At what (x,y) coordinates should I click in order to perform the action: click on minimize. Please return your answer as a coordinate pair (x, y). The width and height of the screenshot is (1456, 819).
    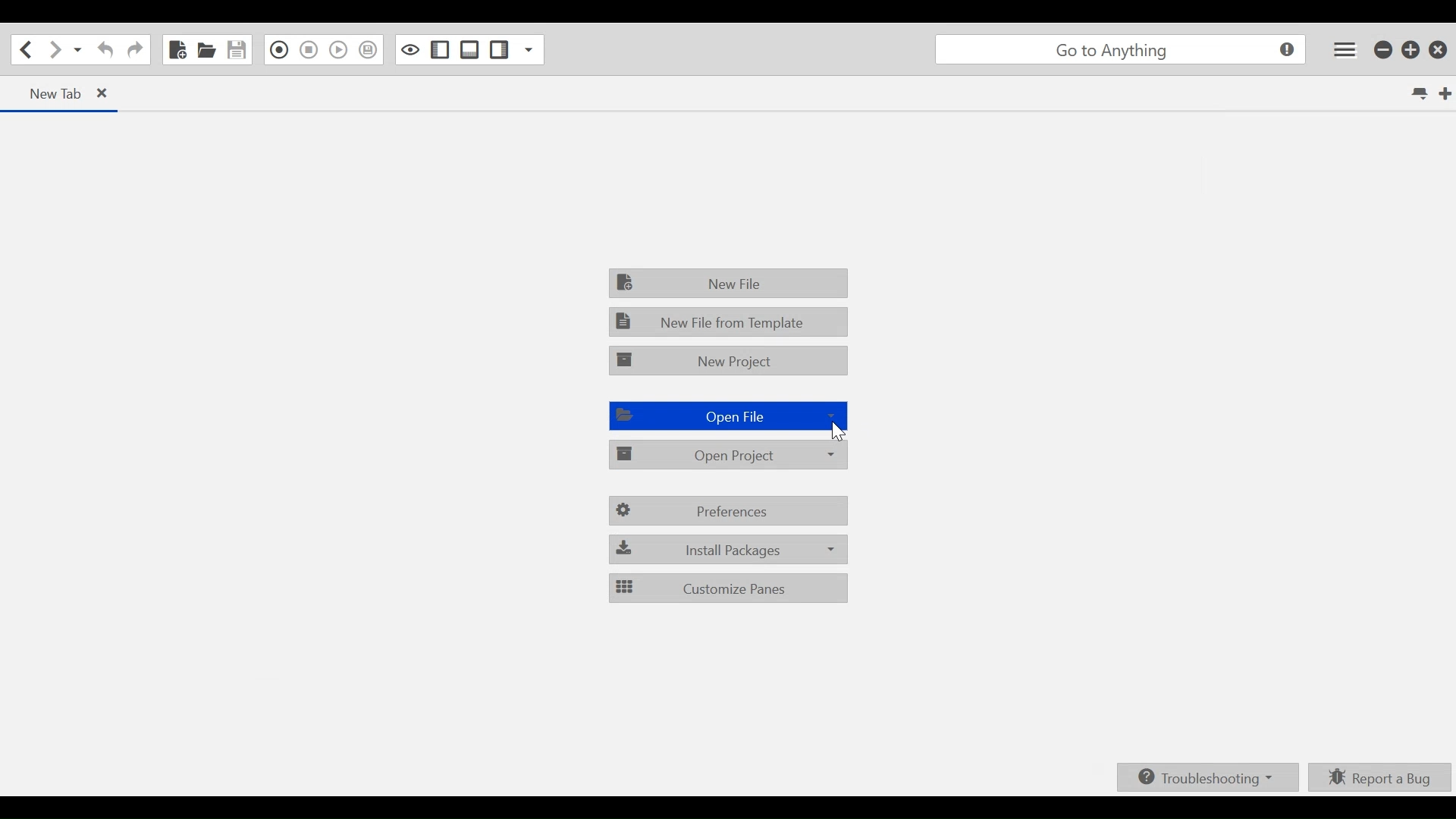
    Looking at the image, I should click on (1385, 49).